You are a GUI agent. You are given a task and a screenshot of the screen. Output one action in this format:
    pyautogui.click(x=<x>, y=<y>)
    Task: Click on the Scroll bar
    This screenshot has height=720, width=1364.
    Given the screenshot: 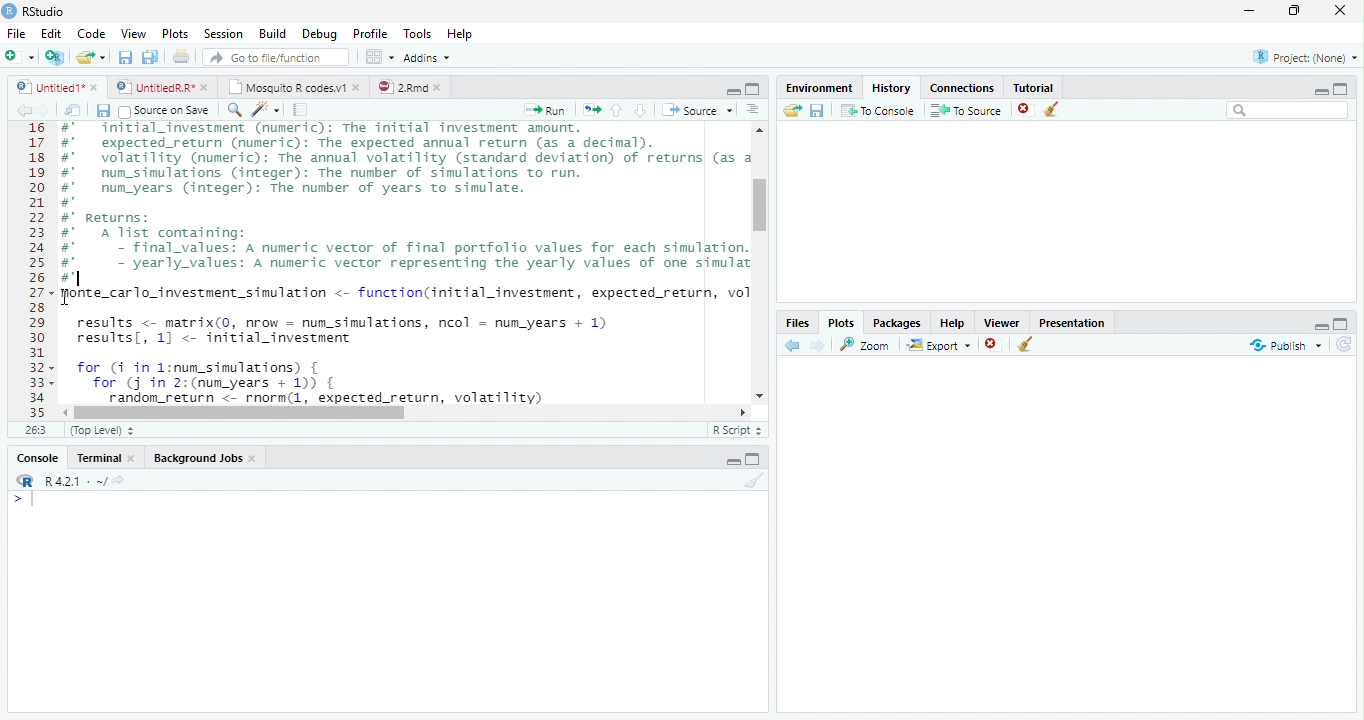 What is the action you would take?
    pyautogui.click(x=244, y=412)
    